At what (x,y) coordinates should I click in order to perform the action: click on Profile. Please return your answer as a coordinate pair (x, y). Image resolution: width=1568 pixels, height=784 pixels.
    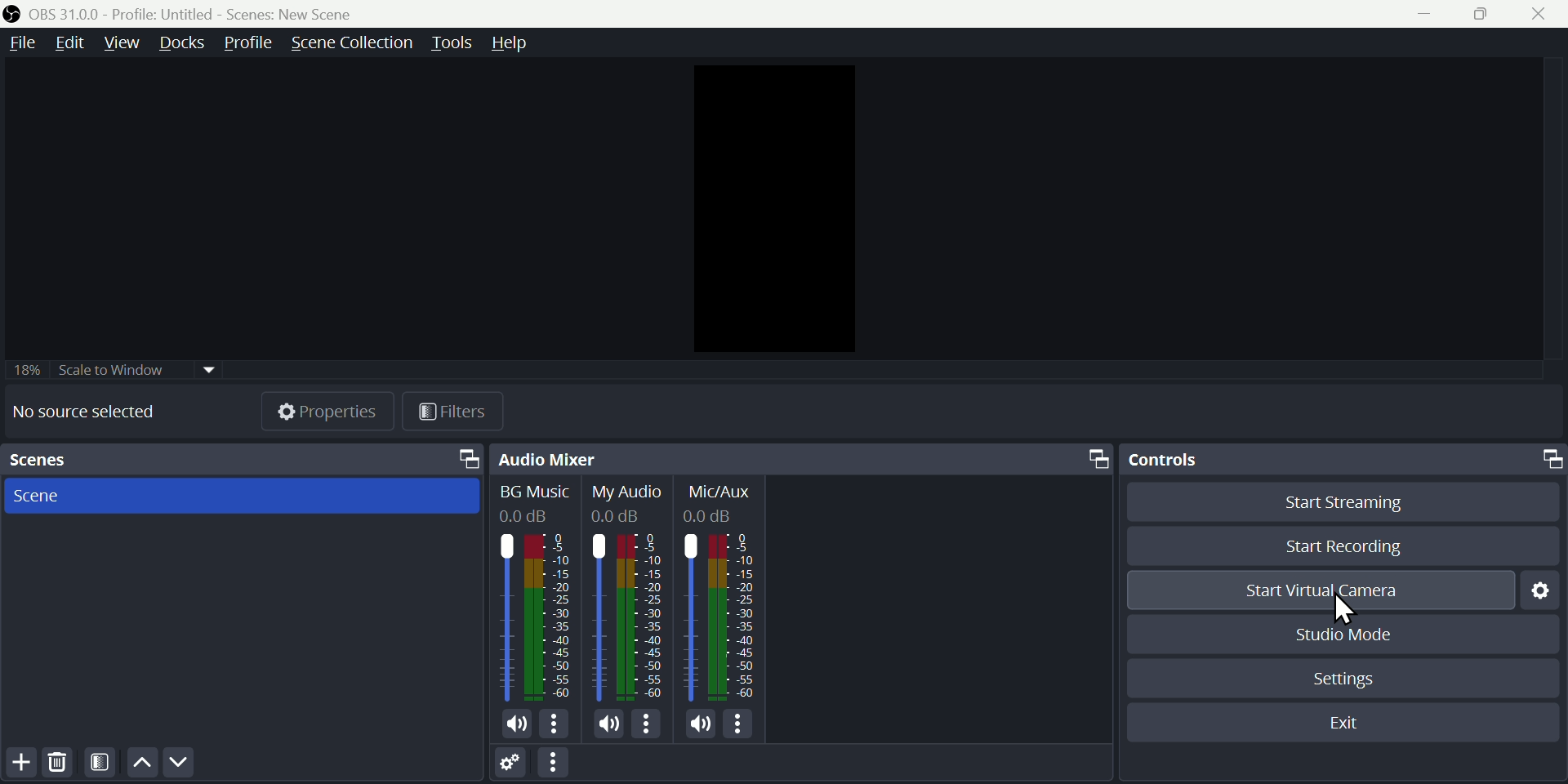
    Looking at the image, I should click on (253, 42).